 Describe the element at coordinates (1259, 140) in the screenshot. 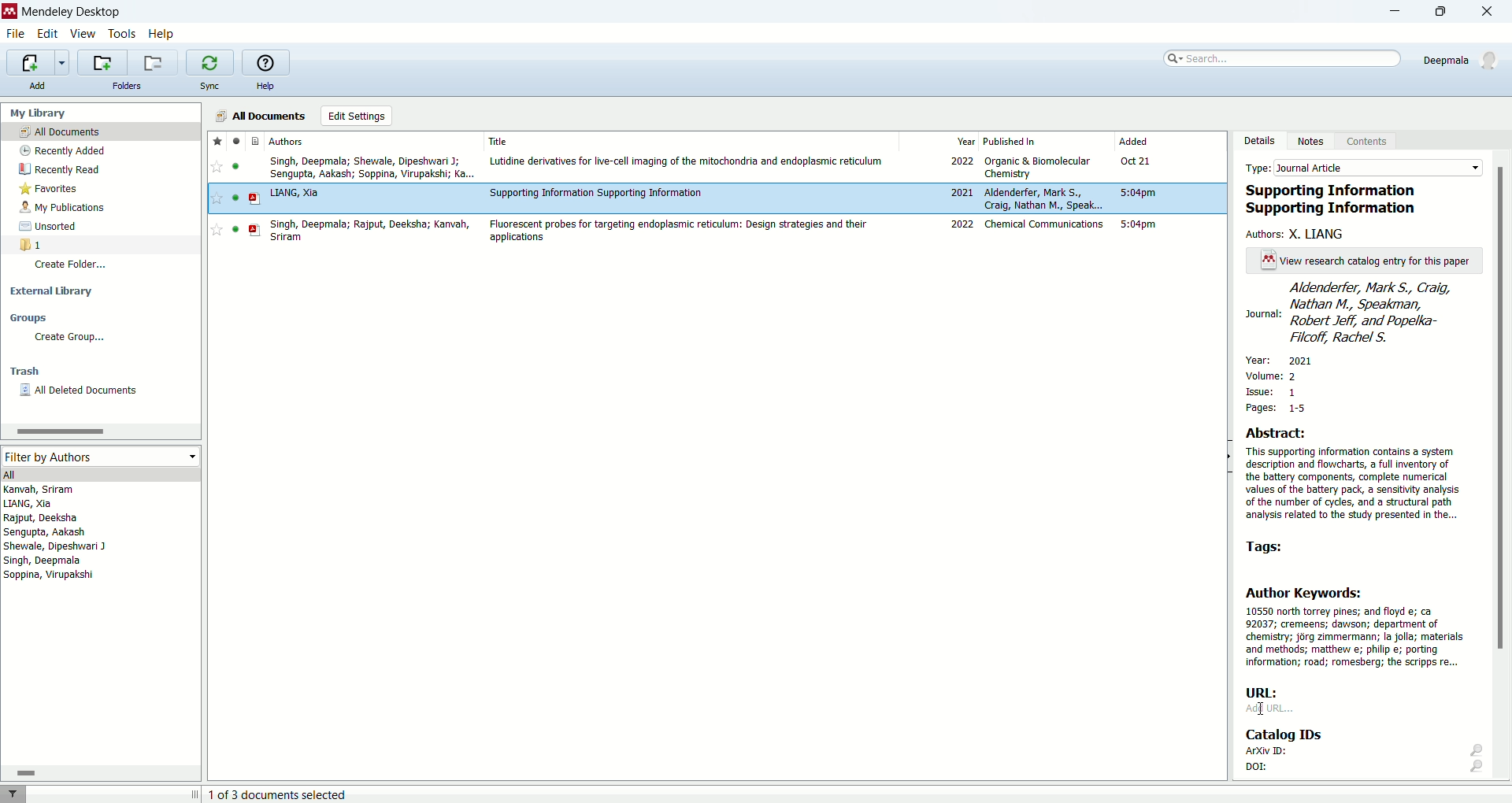

I see `details` at that location.